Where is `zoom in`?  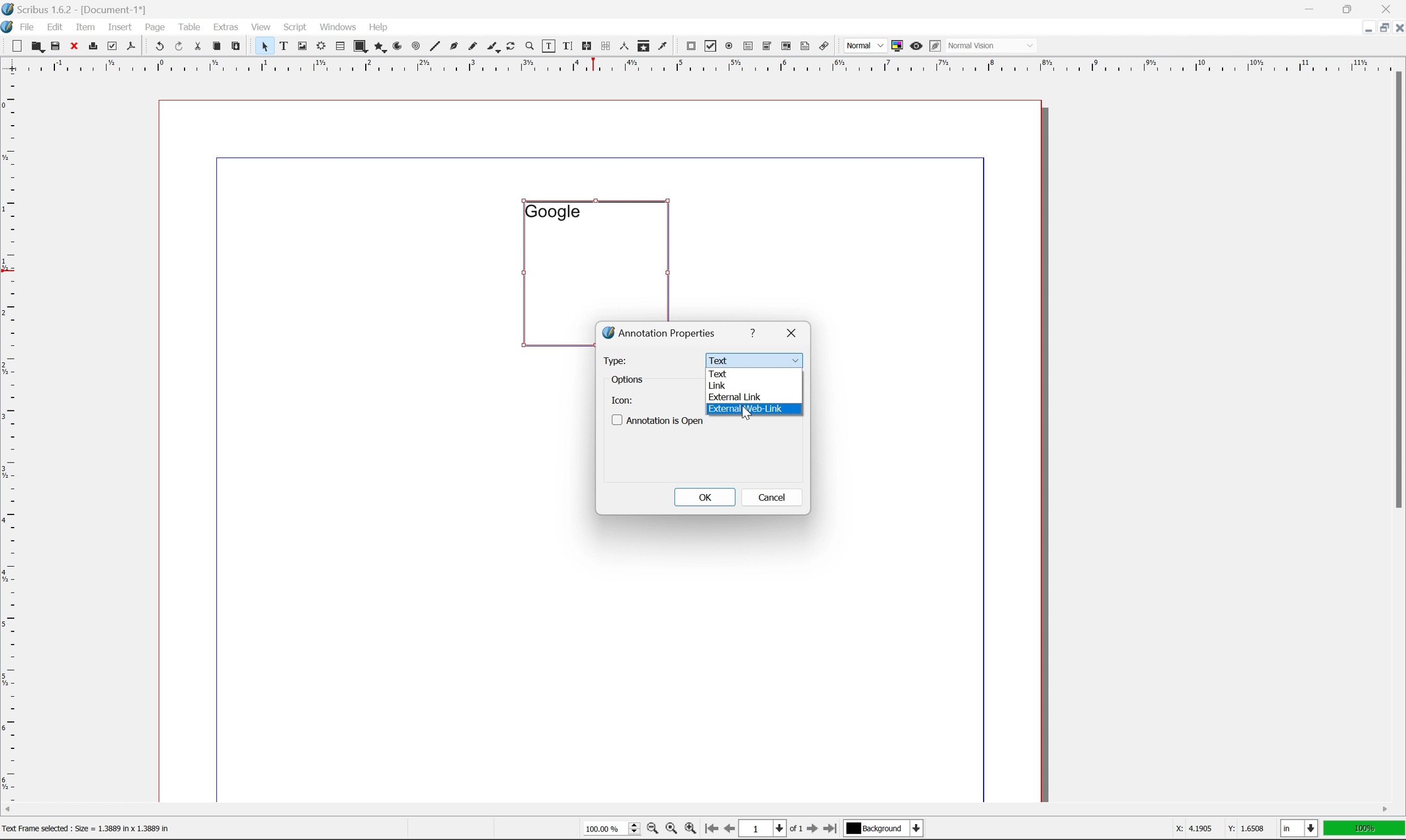
zoom in is located at coordinates (690, 829).